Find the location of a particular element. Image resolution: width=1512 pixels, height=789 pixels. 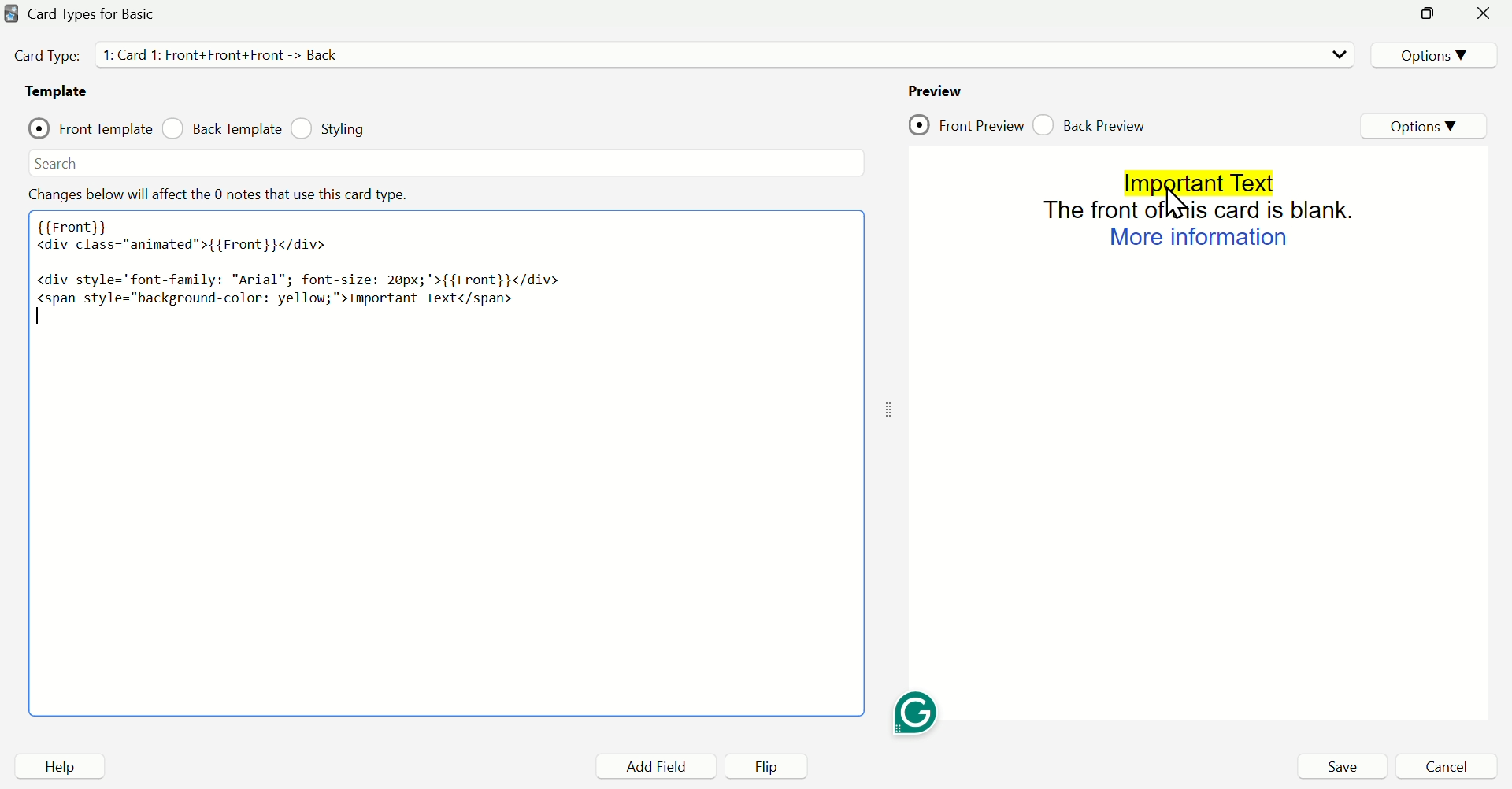

Drag Handle is located at coordinates (886, 411).